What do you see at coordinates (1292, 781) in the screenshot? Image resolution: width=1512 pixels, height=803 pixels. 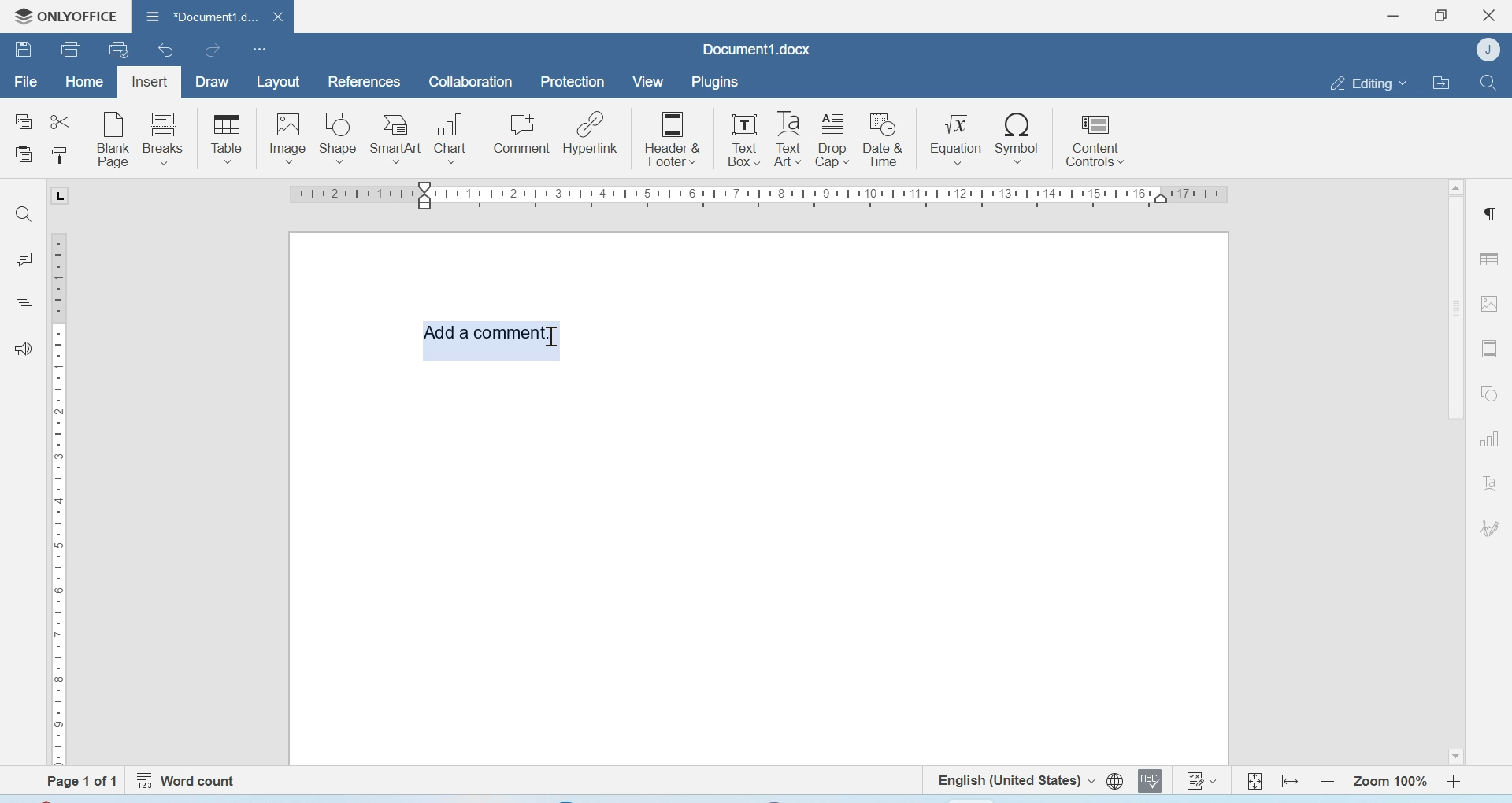 I see `Fit to width` at bounding box center [1292, 781].